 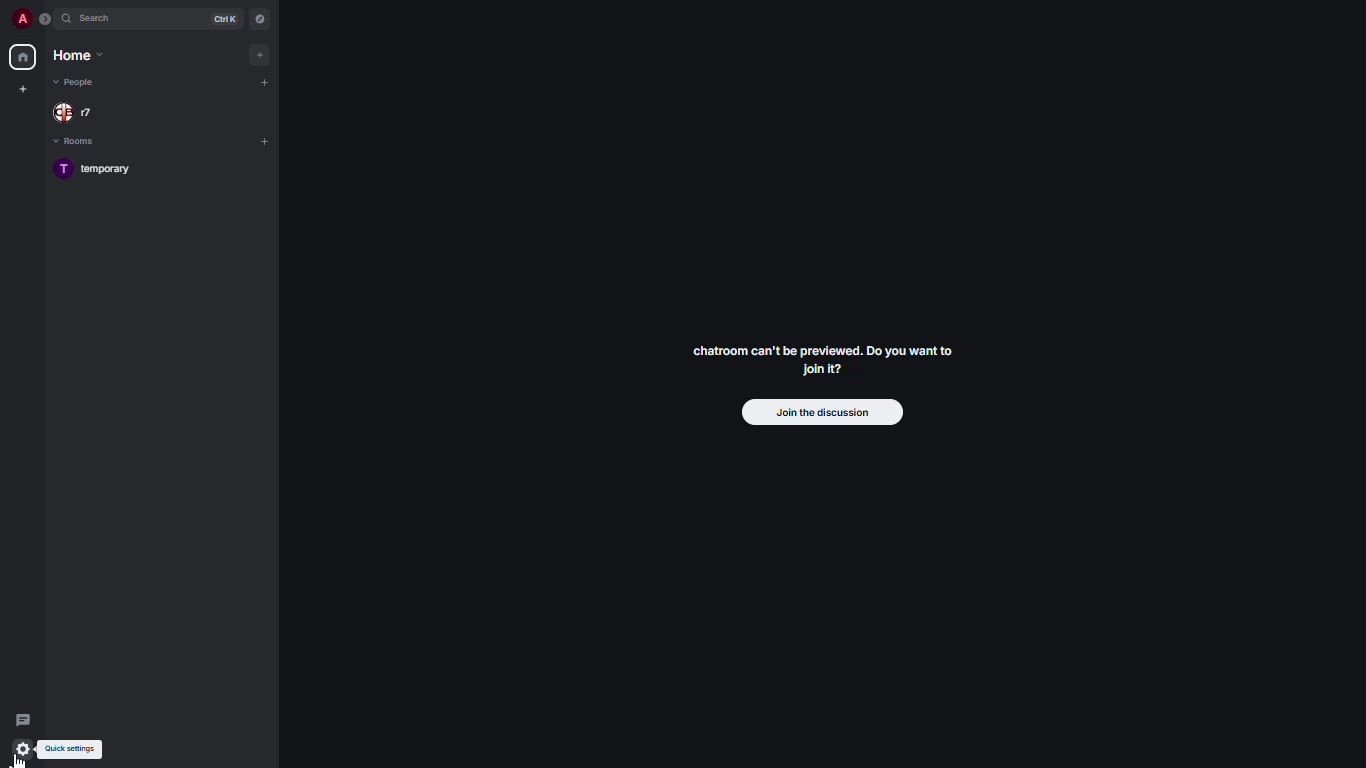 What do you see at coordinates (75, 749) in the screenshot?
I see `quick settings` at bounding box center [75, 749].